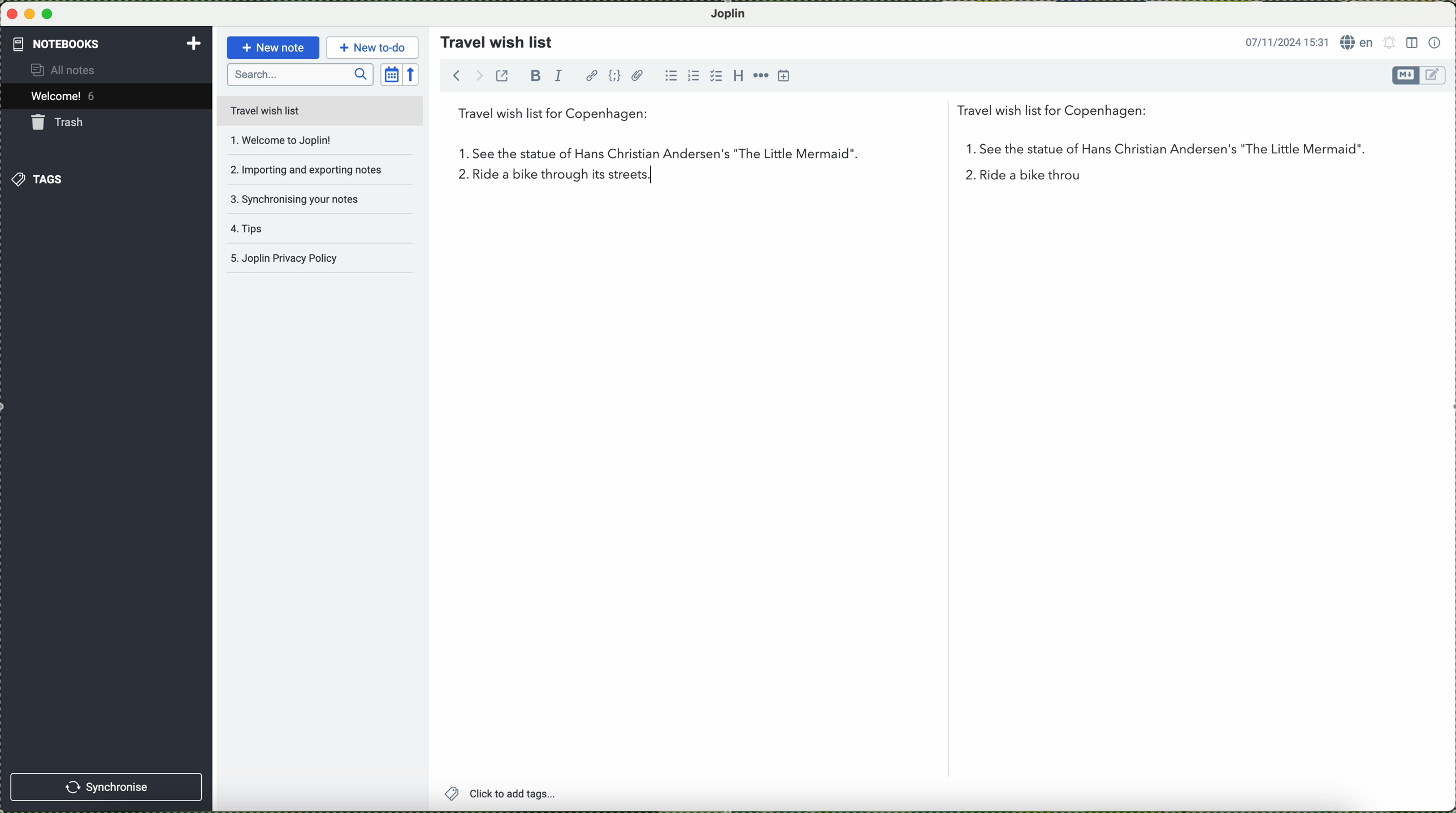 The image size is (1456, 813). What do you see at coordinates (674, 76) in the screenshot?
I see `bulleted list` at bounding box center [674, 76].